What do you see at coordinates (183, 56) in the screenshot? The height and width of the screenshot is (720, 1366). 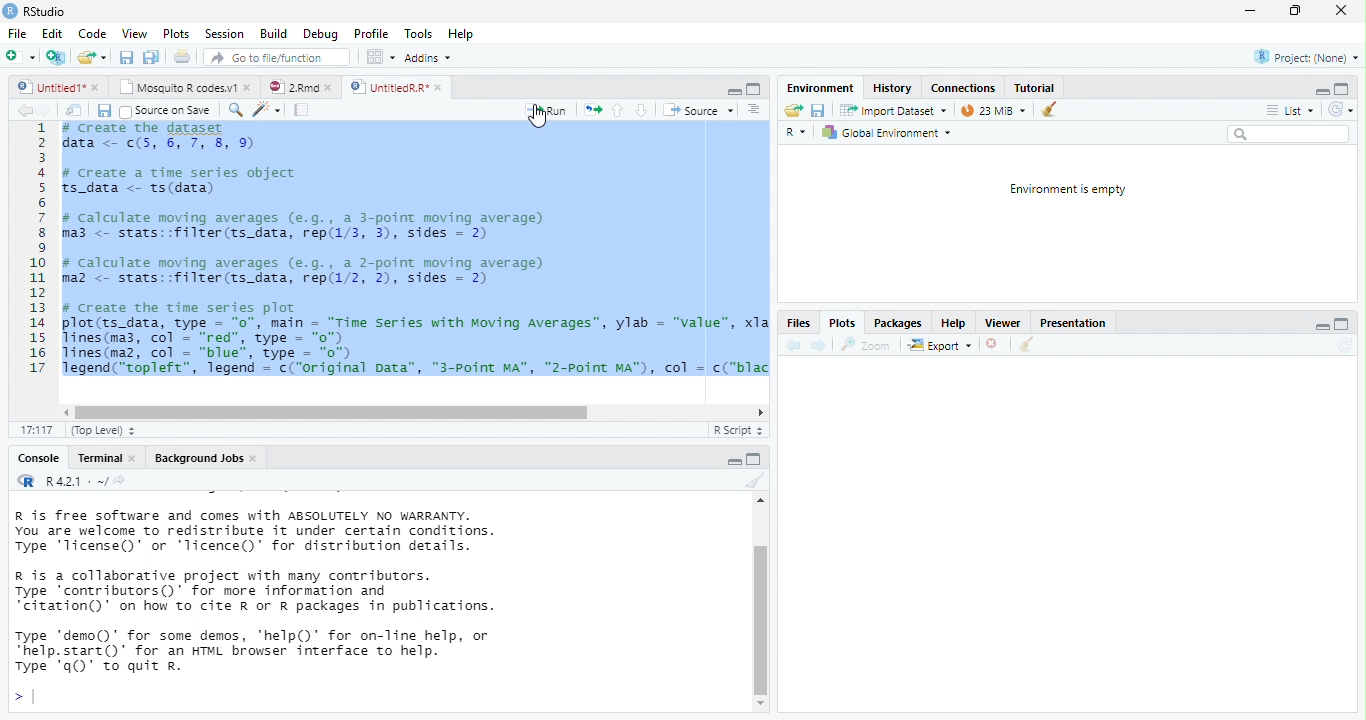 I see `print current file` at bounding box center [183, 56].